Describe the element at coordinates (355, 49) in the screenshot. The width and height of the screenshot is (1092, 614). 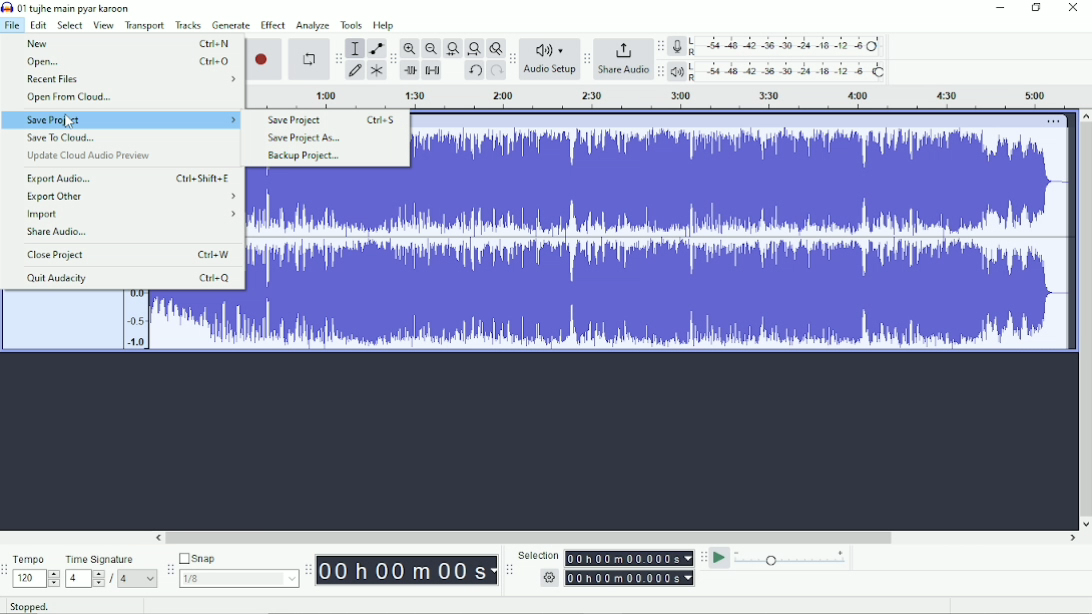
I see `Selection tool` at that location.